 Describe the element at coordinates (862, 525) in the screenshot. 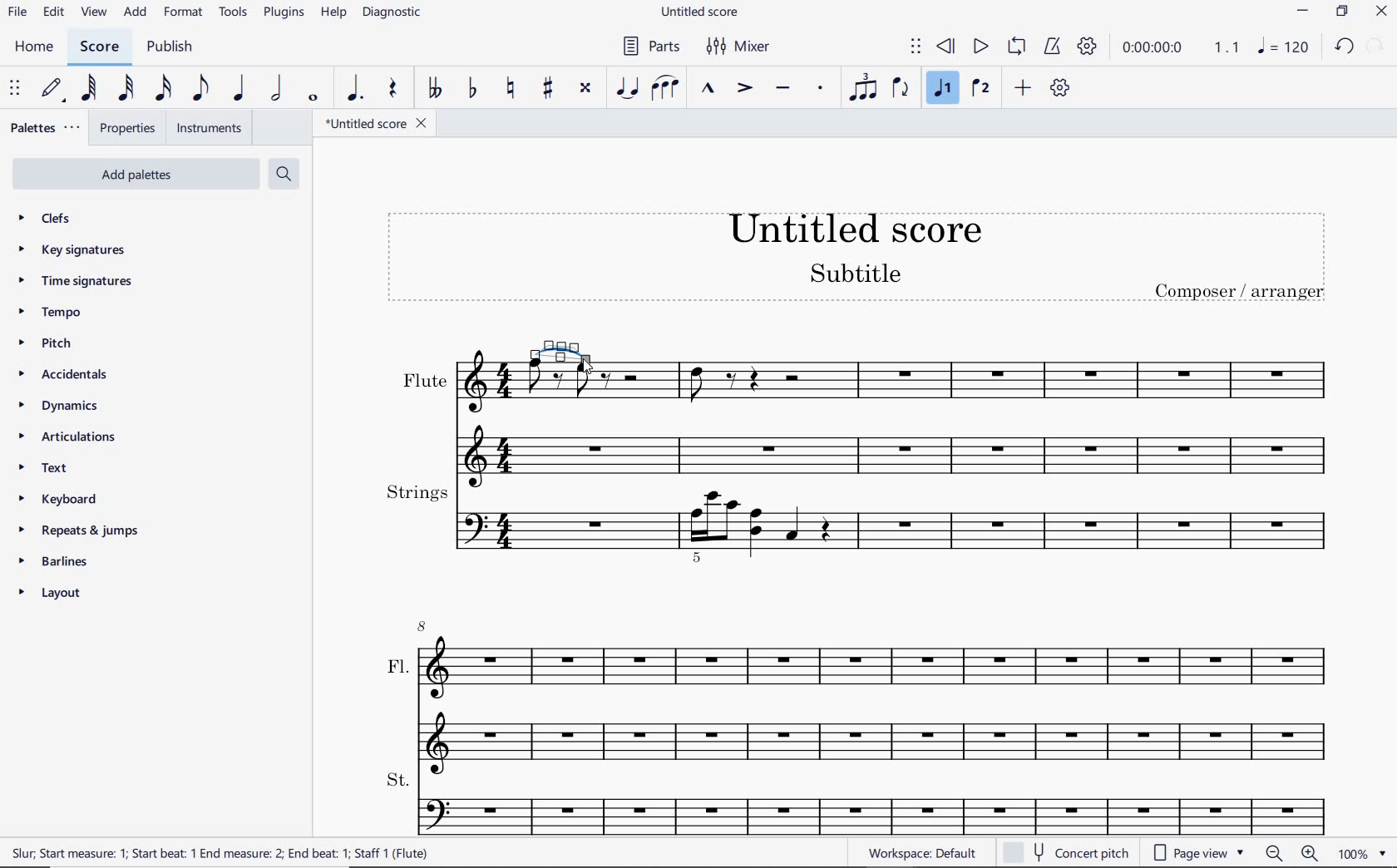

I see `Strings` at that location.